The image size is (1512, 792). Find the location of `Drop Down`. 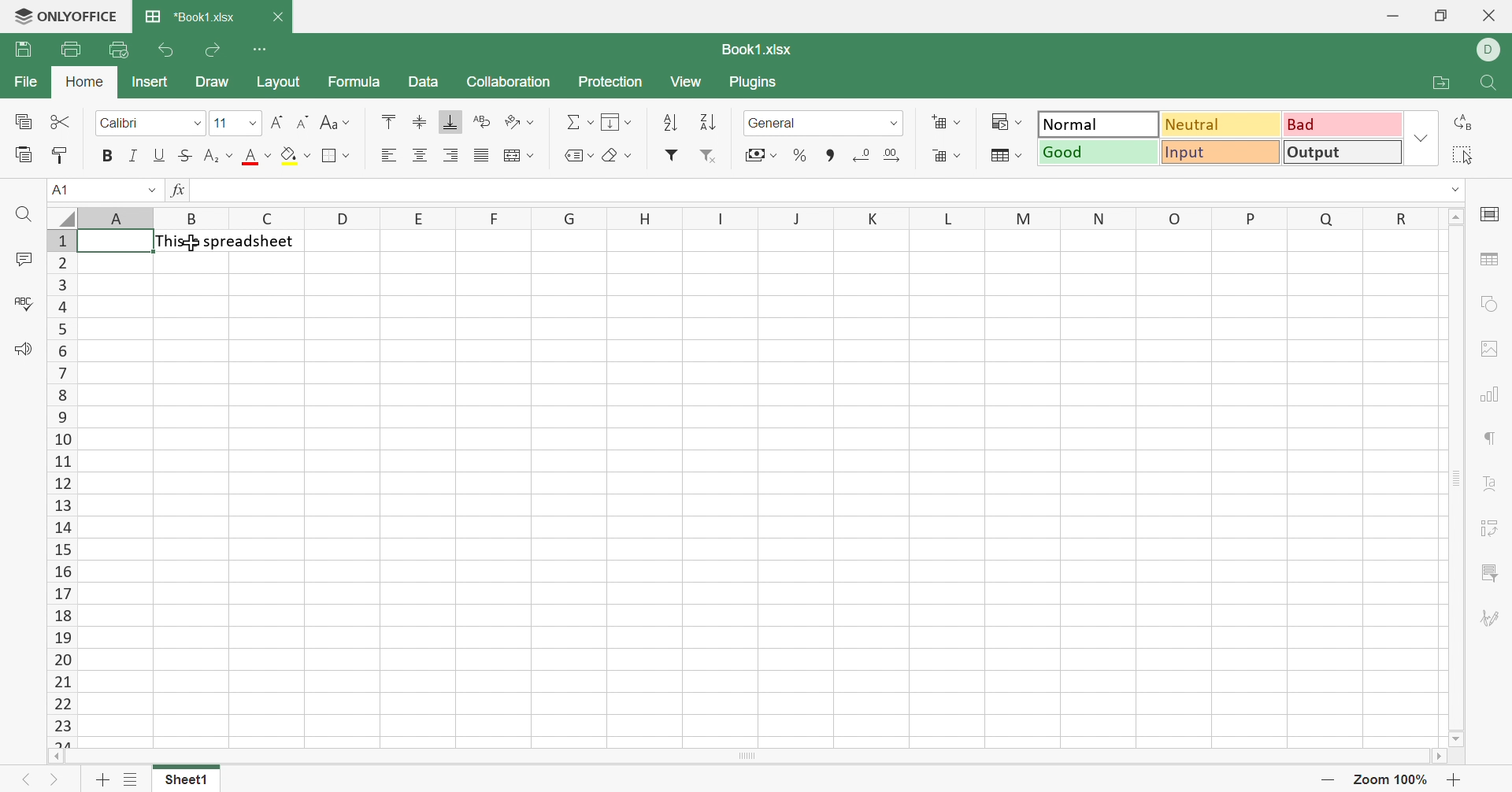

Drop Down is located at coordinates (254, 121).